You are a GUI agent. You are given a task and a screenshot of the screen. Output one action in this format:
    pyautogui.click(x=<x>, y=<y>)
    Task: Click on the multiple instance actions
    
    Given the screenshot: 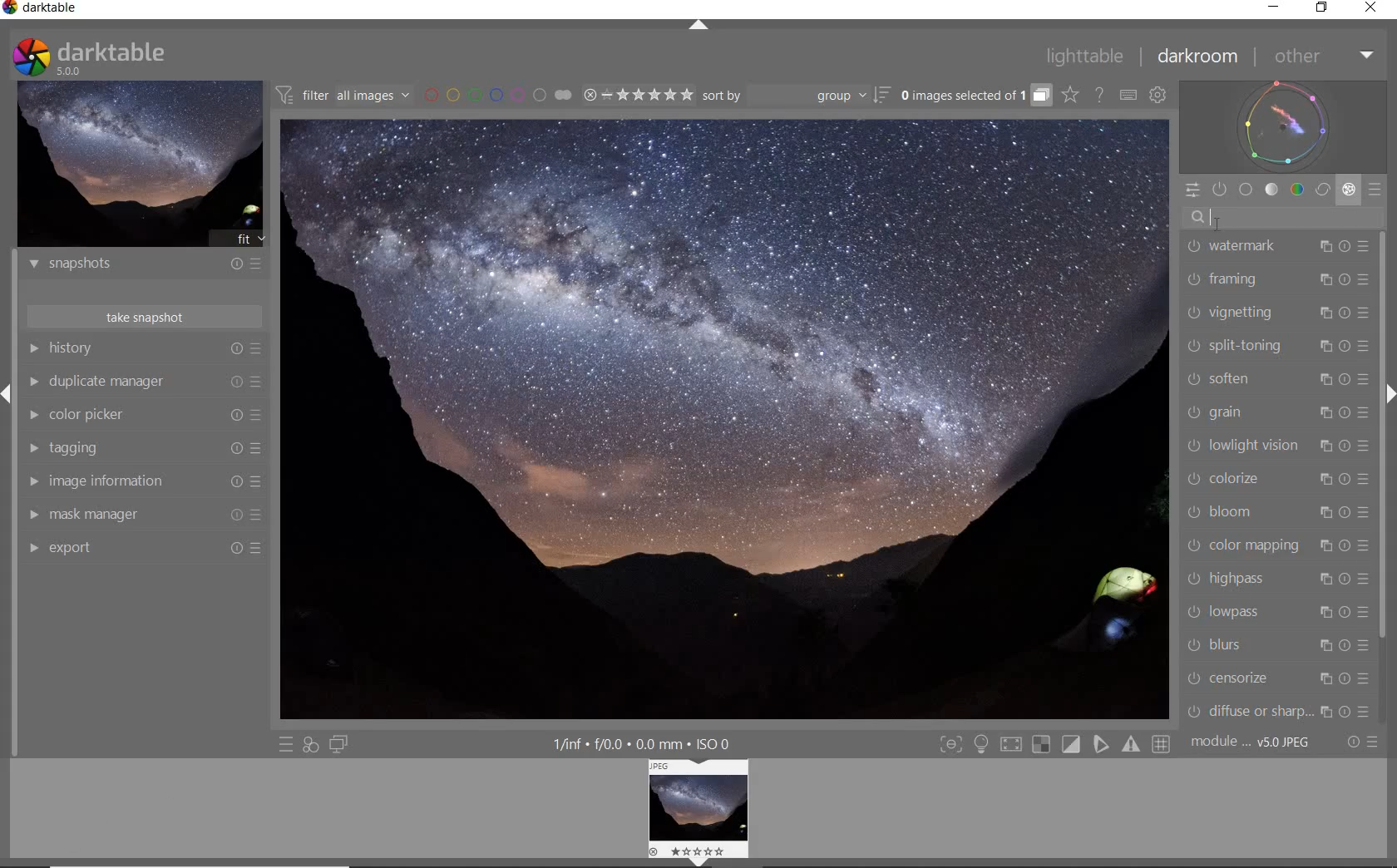 What is the action you would take?
    pyautogui.click(x=1325, y=243)
    